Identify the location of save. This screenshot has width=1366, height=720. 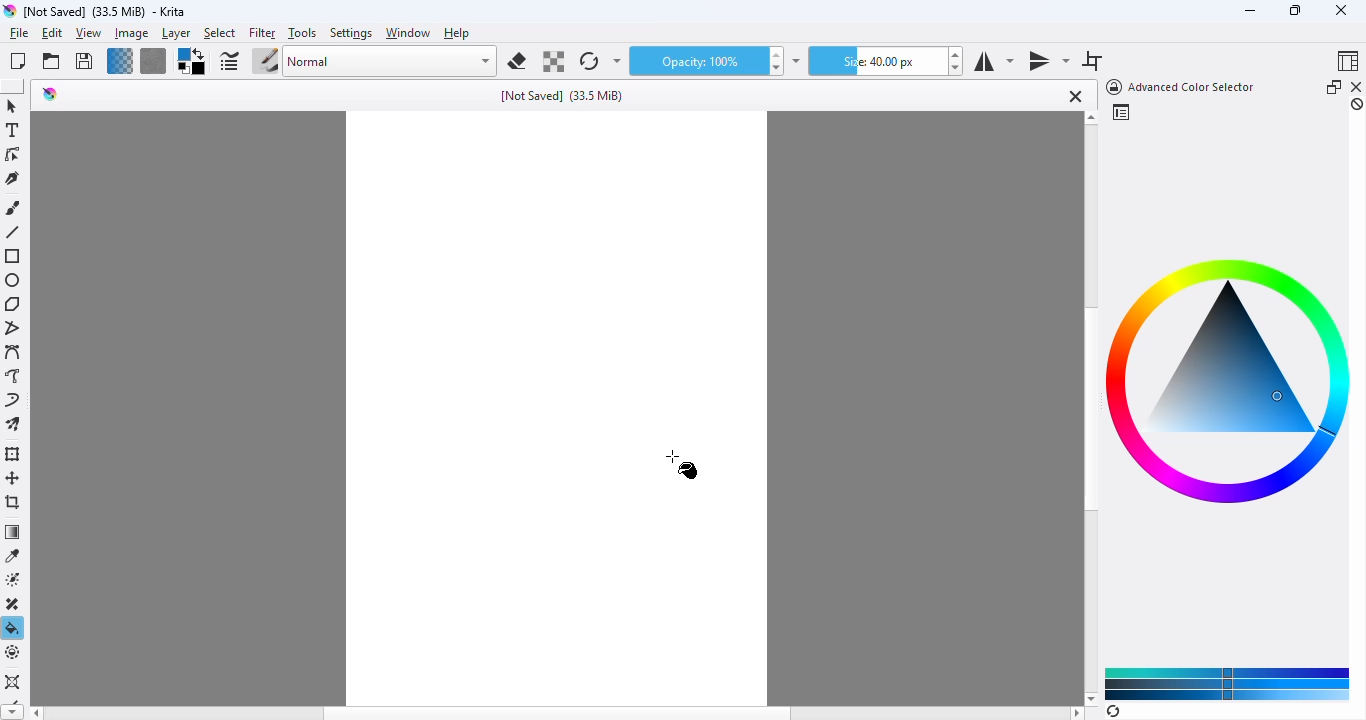
(84, 60).